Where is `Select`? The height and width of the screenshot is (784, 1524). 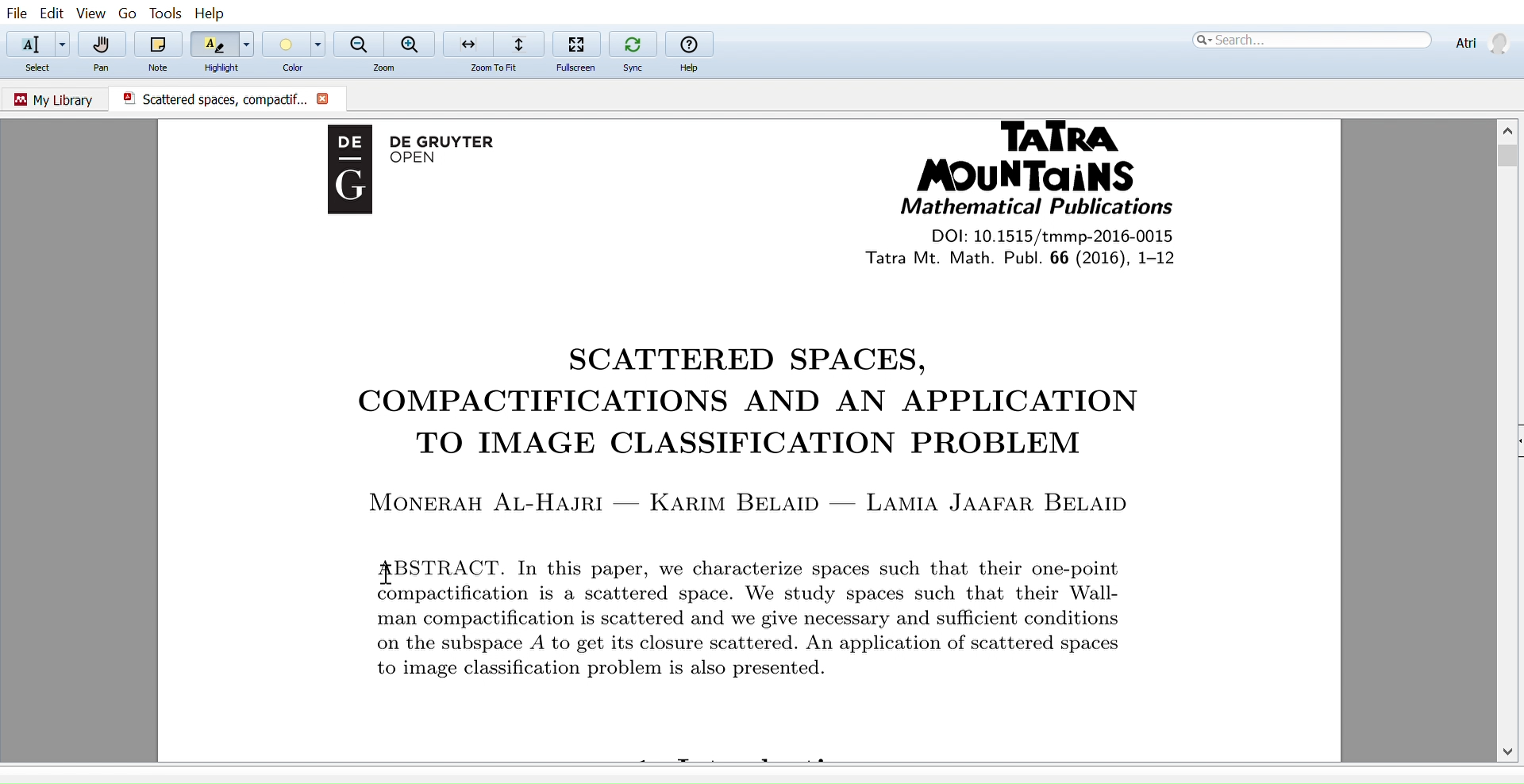
Select is located at coordinates (44, 69).